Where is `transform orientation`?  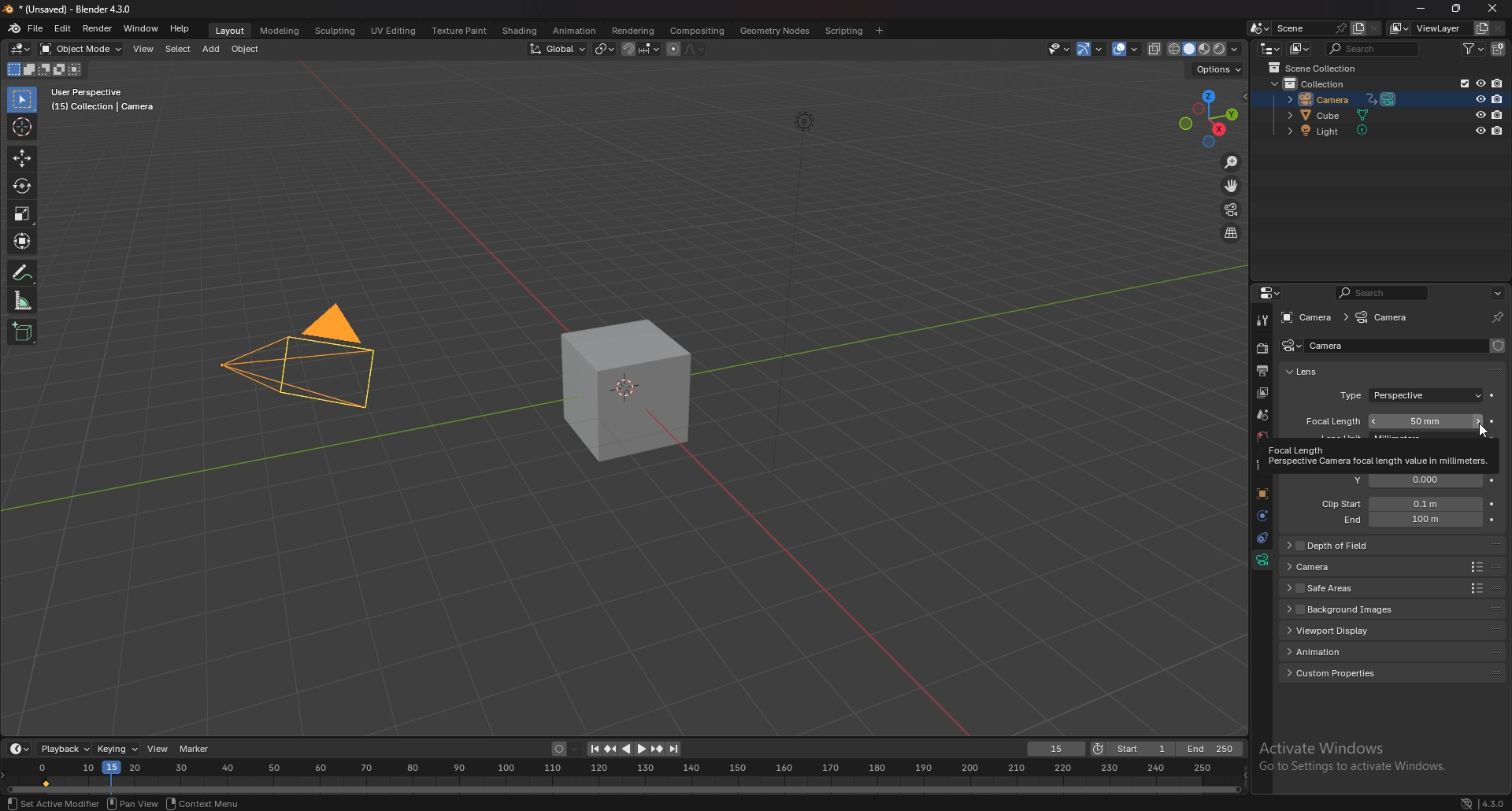 transform orientation is located at coordinates (557, 49).